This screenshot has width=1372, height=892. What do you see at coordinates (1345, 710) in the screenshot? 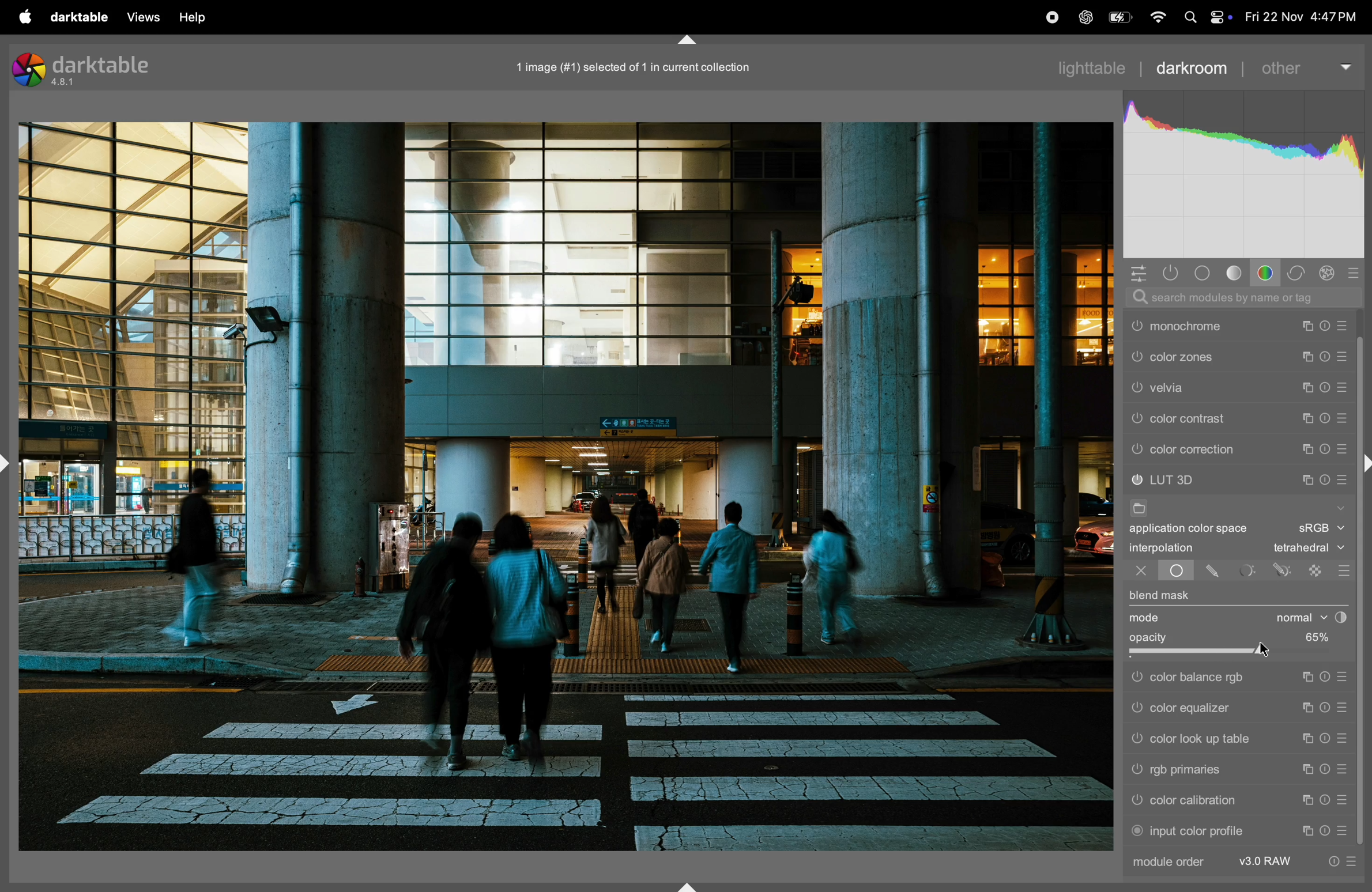
I see `presets` at bounding box center [1345, 710].